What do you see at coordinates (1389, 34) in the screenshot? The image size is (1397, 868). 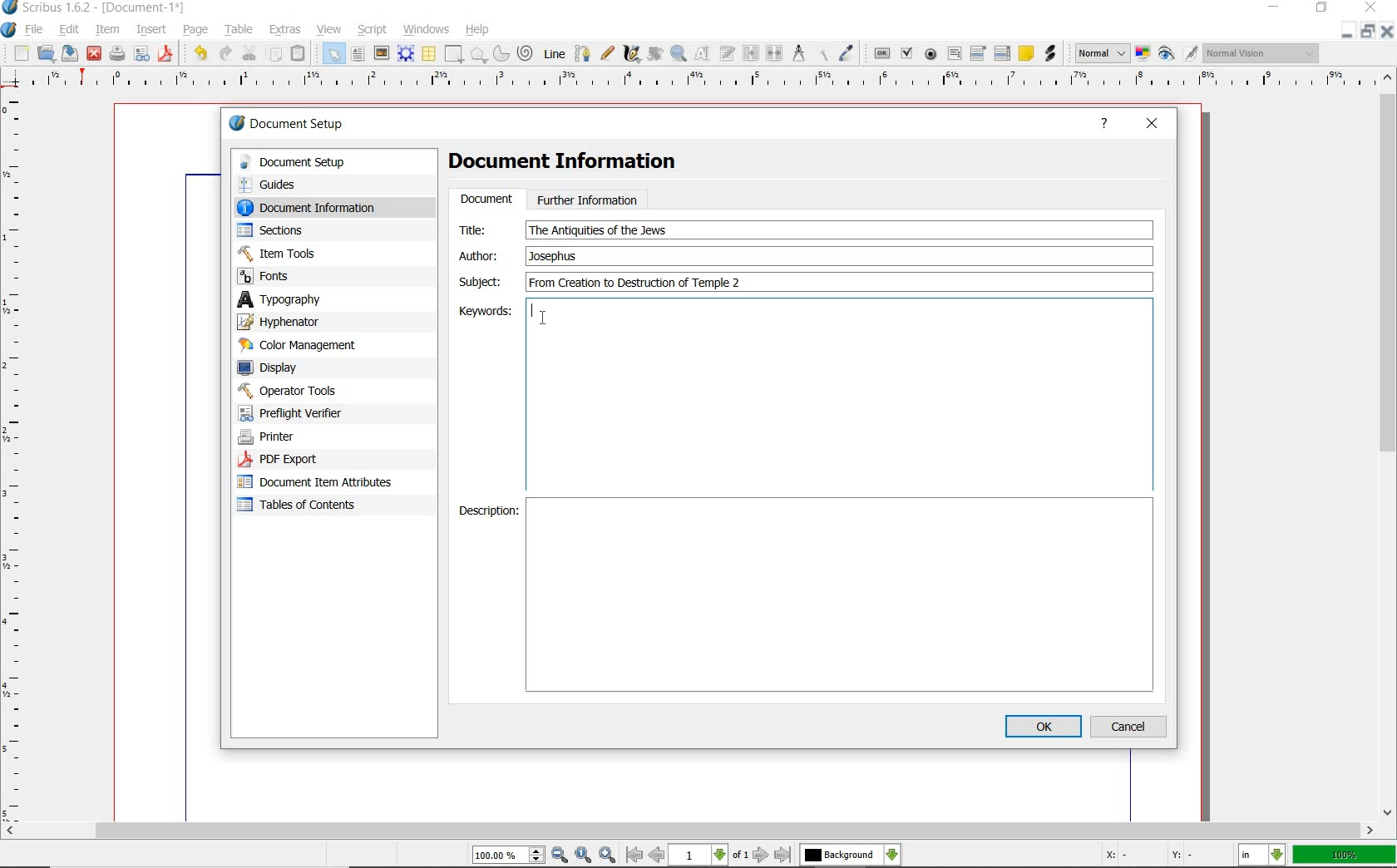 I see `close` at bounding box center [1389, 34].